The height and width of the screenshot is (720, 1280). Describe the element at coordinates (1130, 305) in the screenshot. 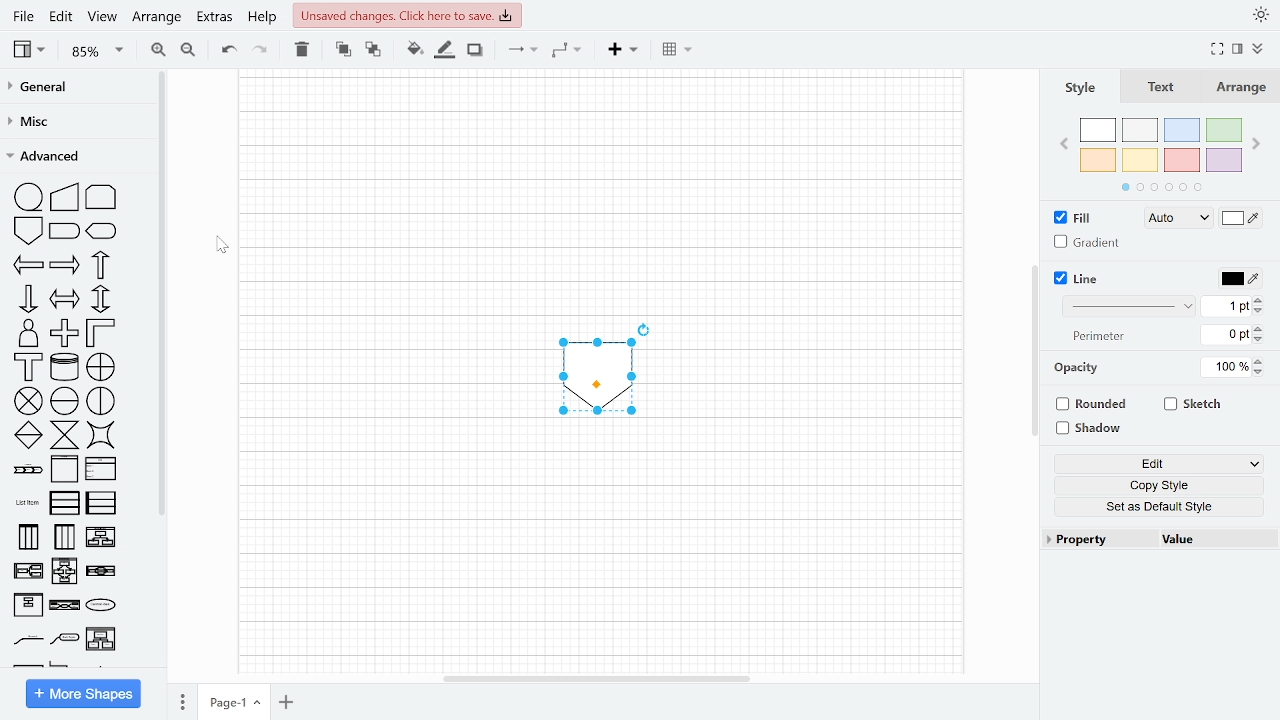

I see `Line styles` at that location.